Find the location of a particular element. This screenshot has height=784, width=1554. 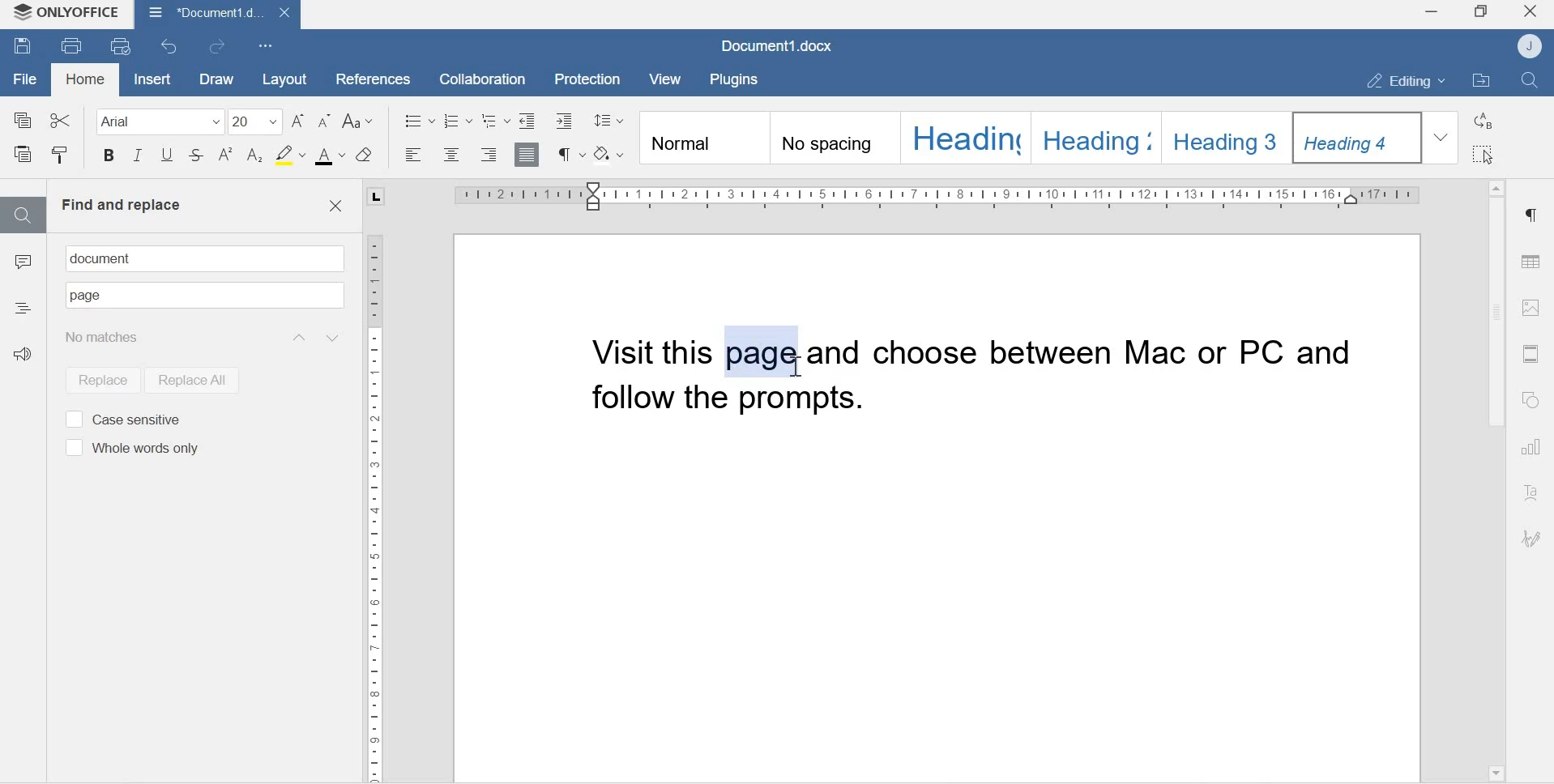

References is located at coordinates (367, 77).